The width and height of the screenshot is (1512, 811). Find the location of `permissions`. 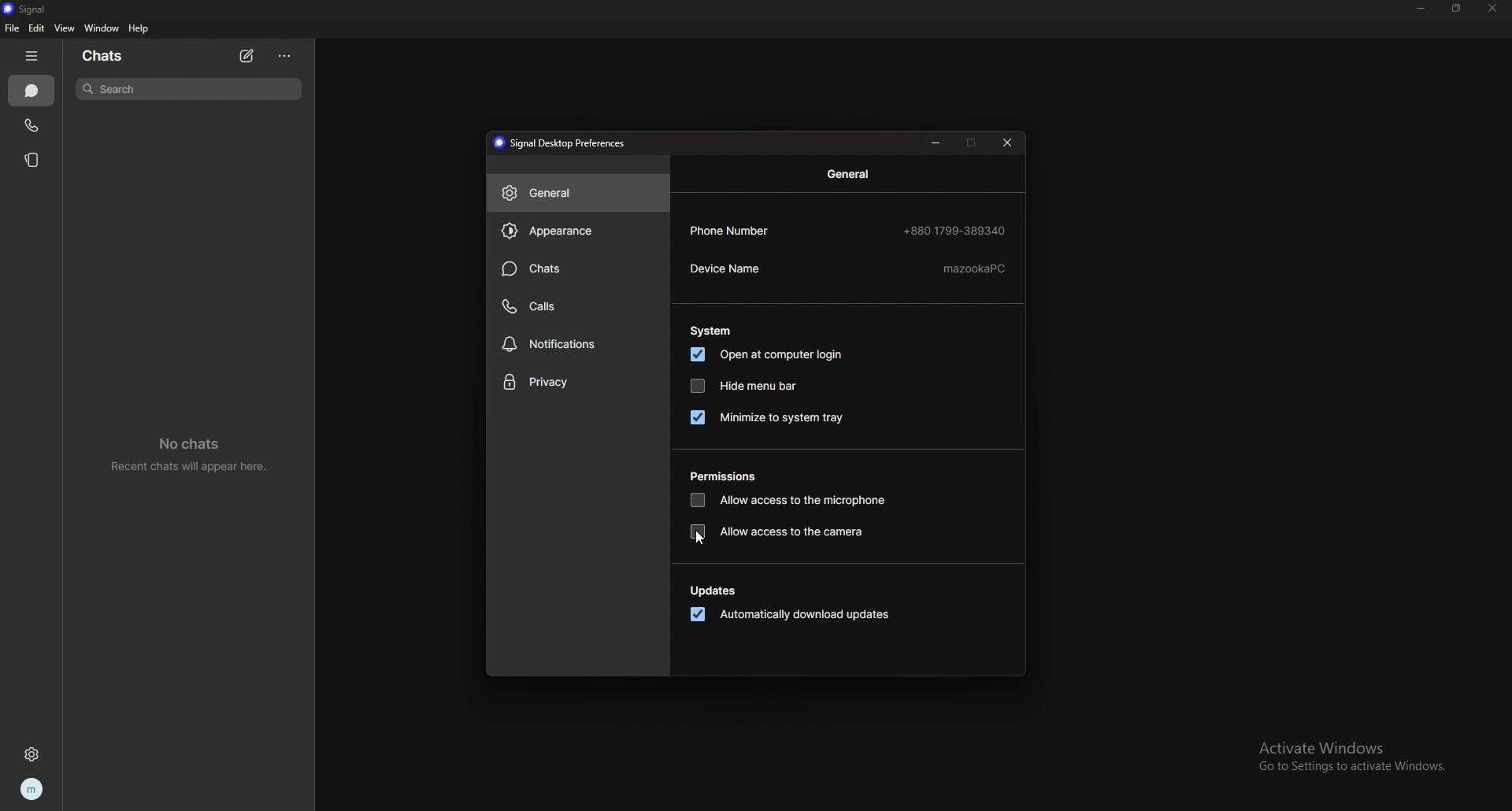

permissions is located at coordinates (725, 476).